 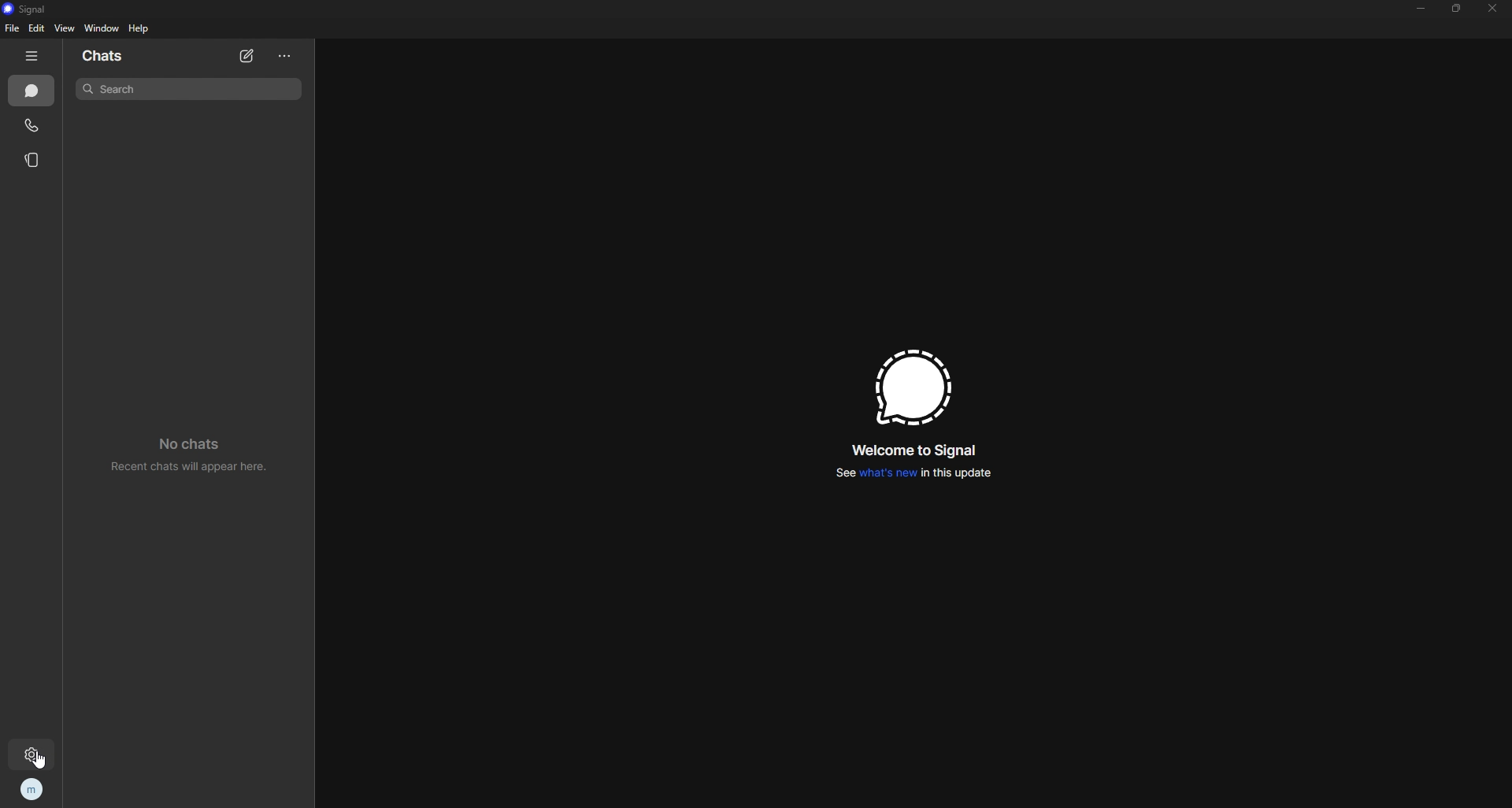 I want to click on close, so click(x=1494, y=9).